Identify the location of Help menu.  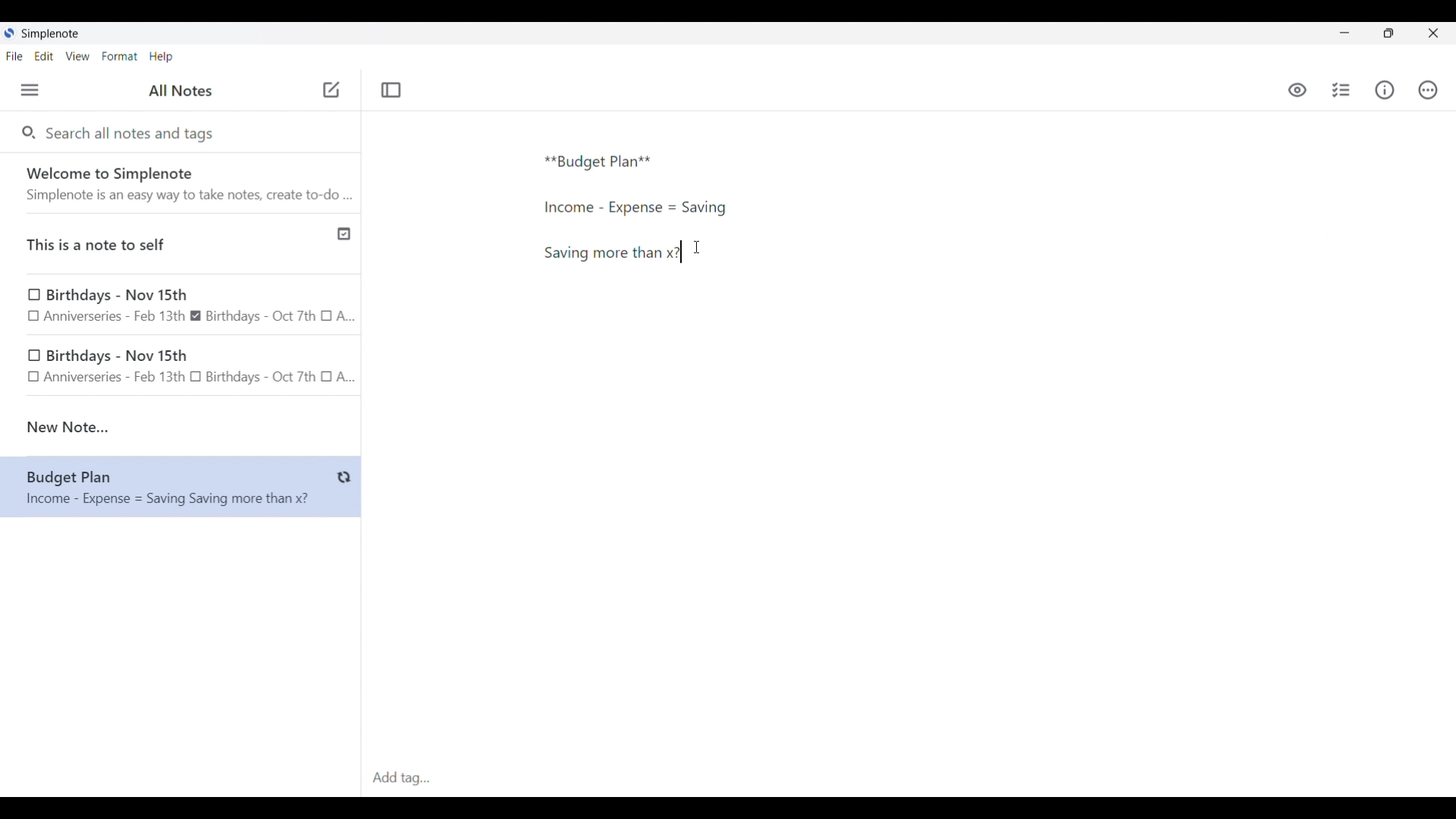
(161, 56).